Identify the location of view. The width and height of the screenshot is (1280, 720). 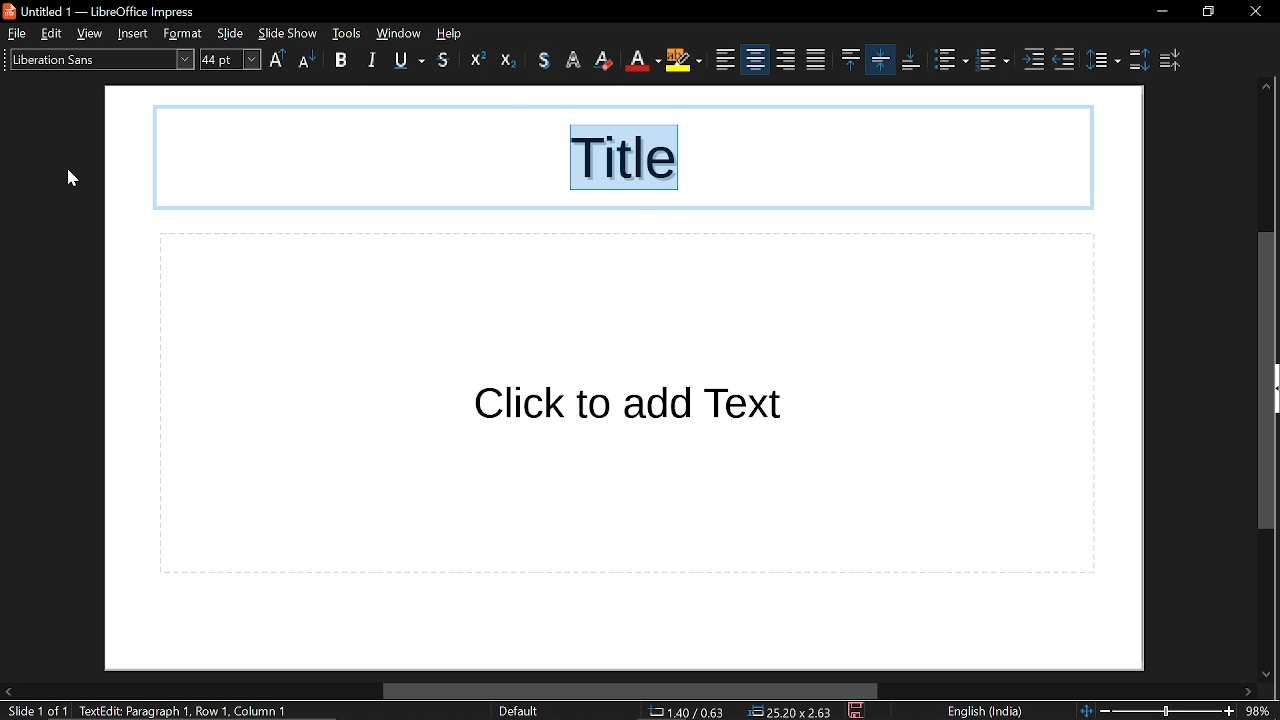
(94, 34).